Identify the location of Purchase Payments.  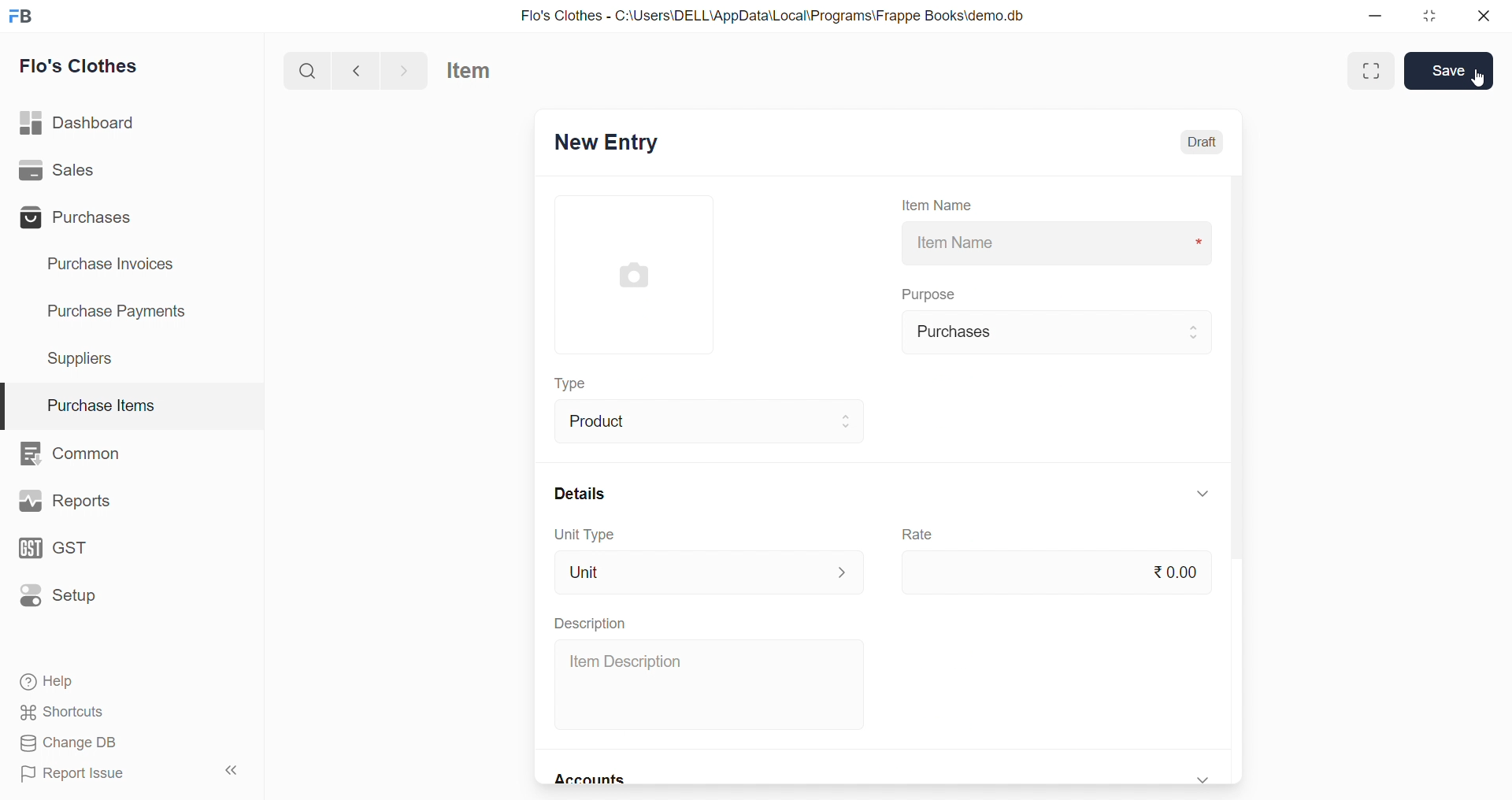
(122, 312).